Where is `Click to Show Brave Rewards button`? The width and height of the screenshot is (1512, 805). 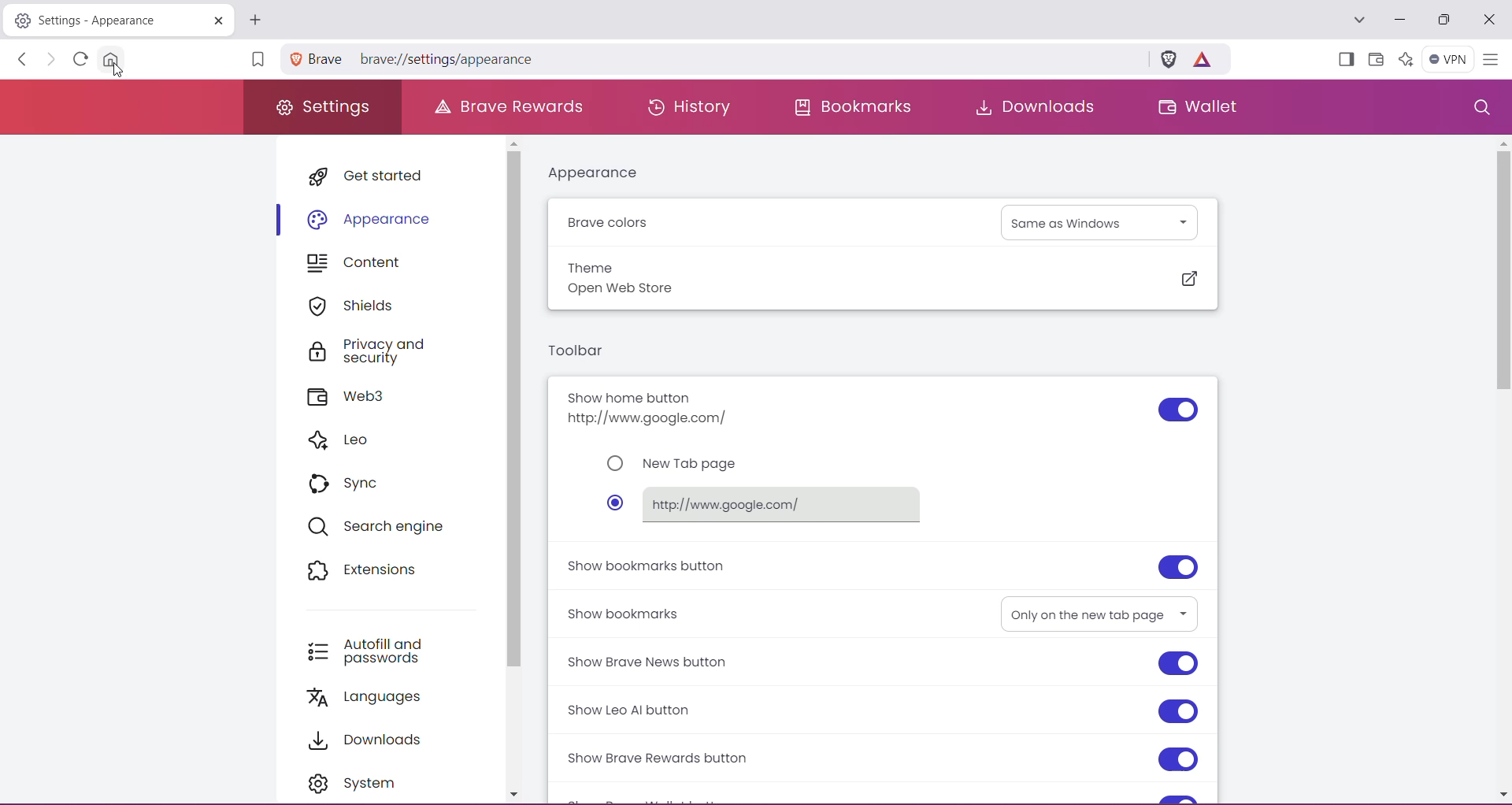 Click to Show Brave Rewards button is located at coordinates (1177, 760).